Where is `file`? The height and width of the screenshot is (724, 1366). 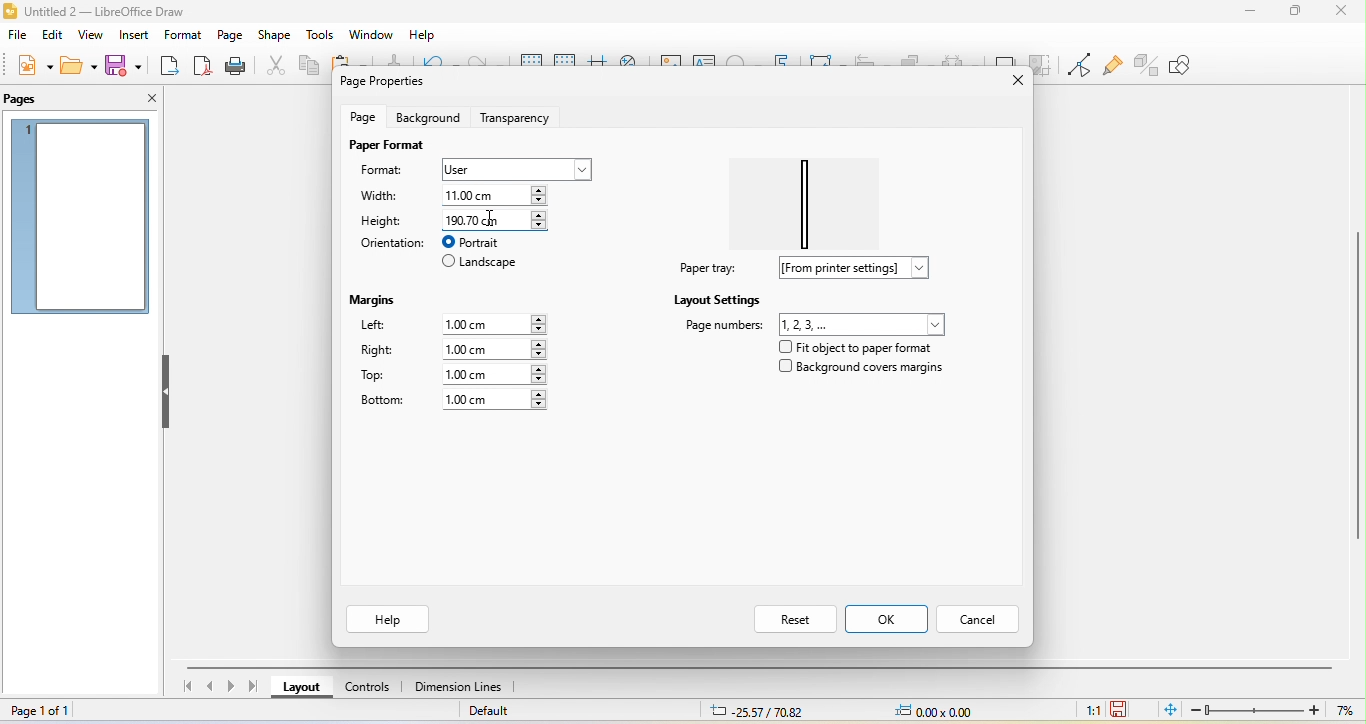
file is located at coordinates (17, 37).